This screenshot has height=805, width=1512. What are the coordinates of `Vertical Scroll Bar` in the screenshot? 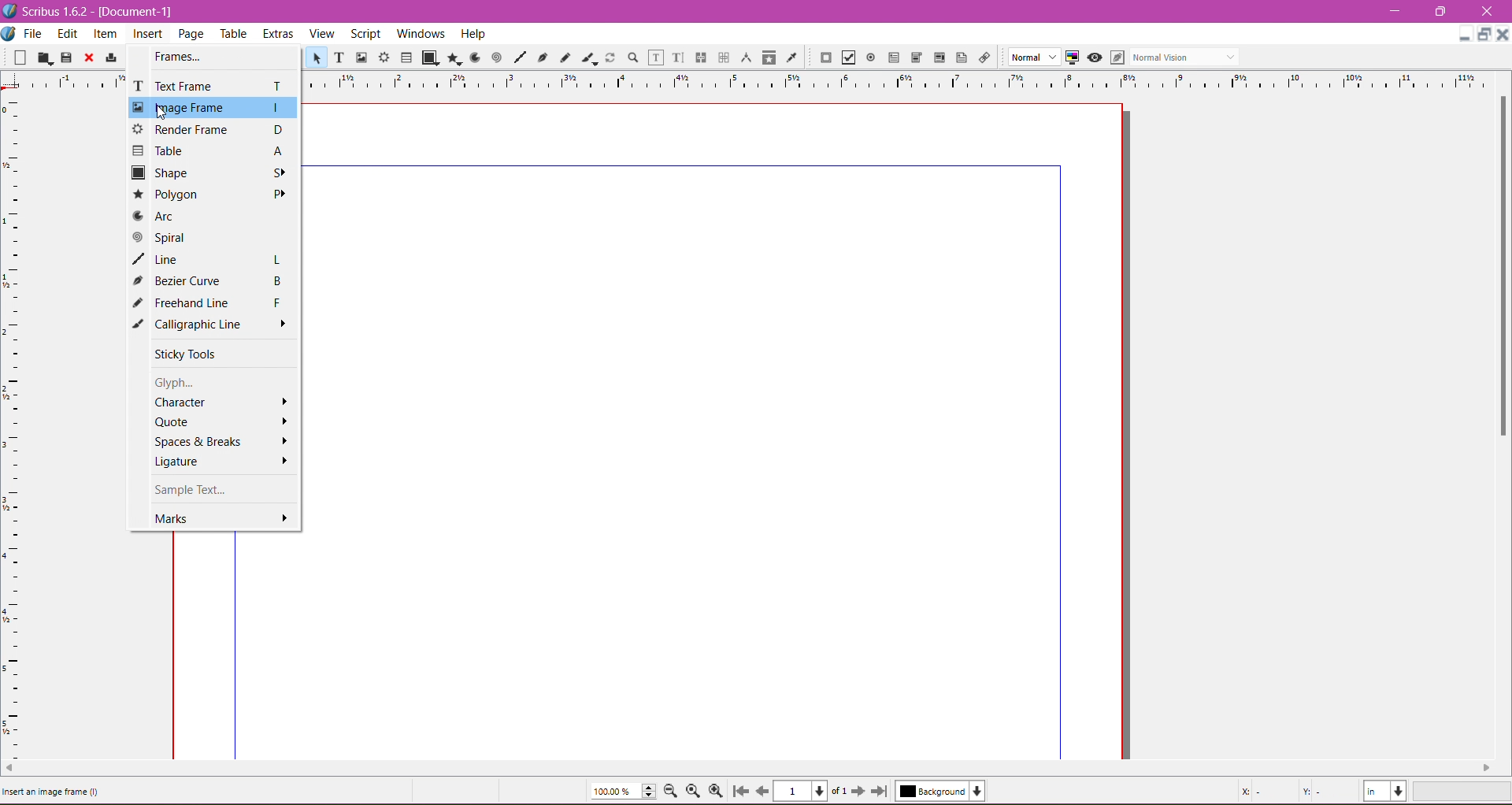 It's located at (1499, 265).